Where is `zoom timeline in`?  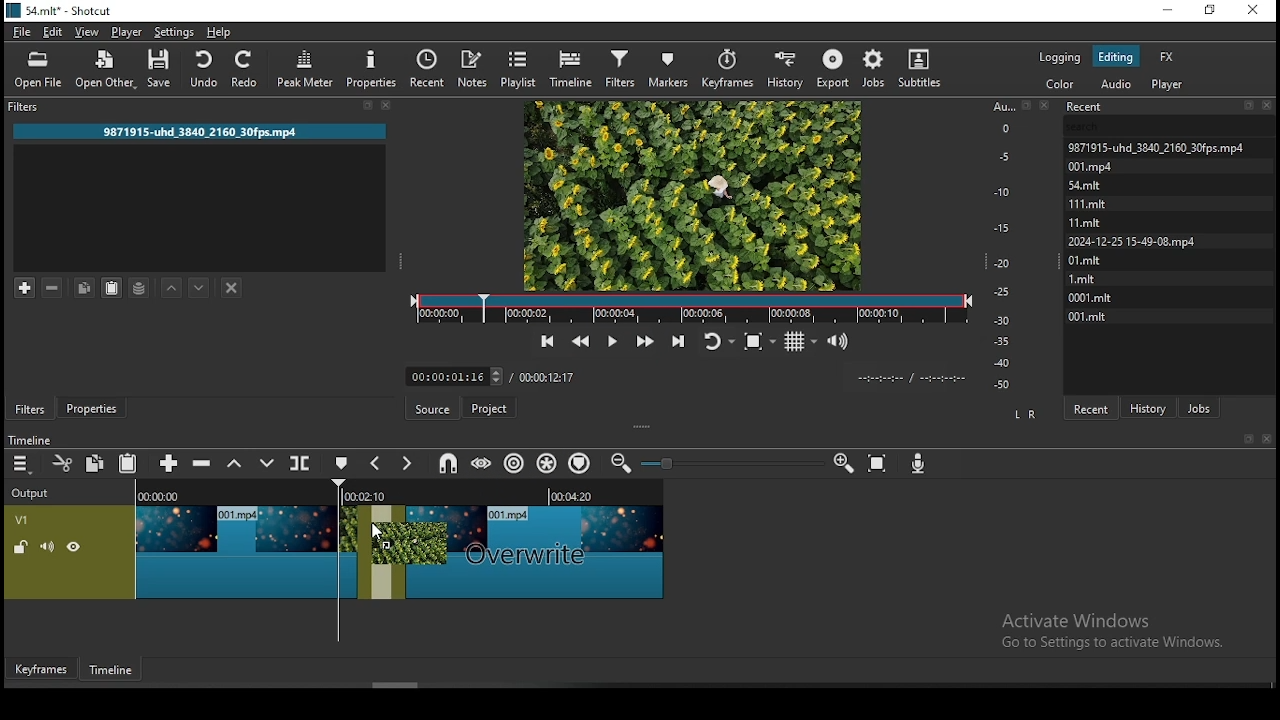
zoom timeline in is located at coordinates (626, 462).